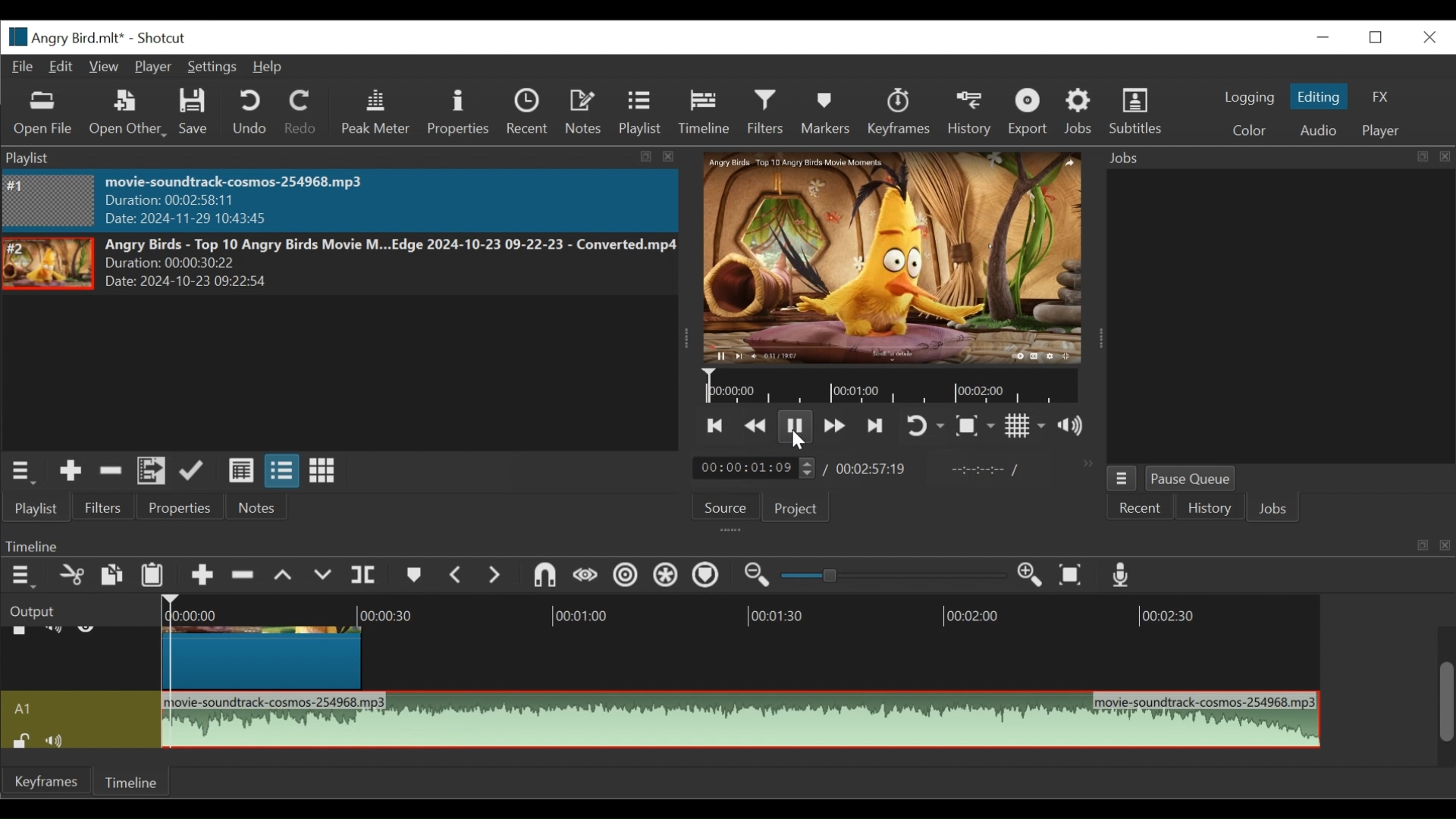 This screenshot has height=819, width=1456. Describe the element at coordinates (492, 576) in the screenshot. I see `Next Marker` at that location.